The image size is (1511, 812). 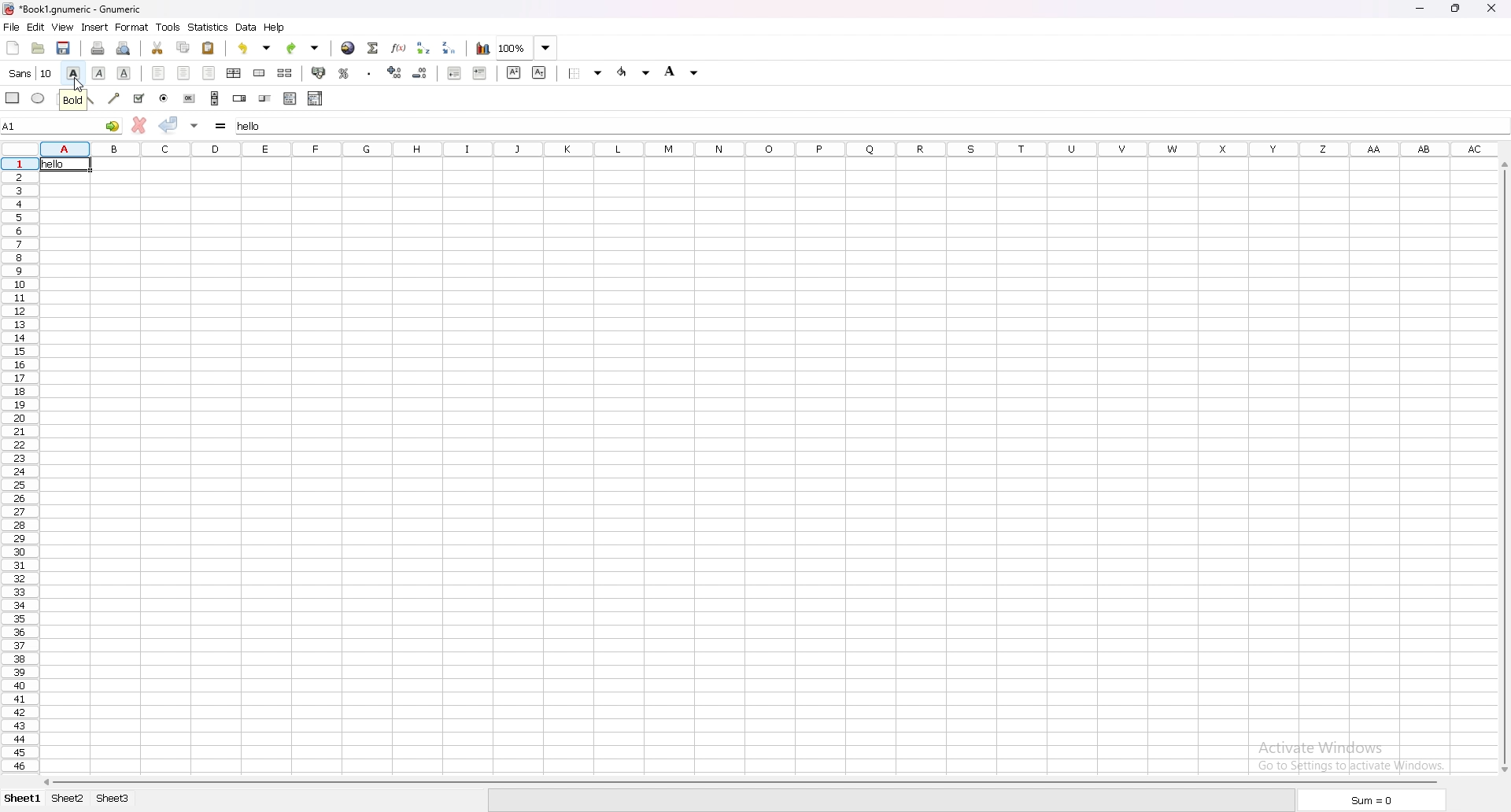 What do you see at coordinates (260, 72) in the screenshot?
I see `merge cell` at bounding box center [260, 72].